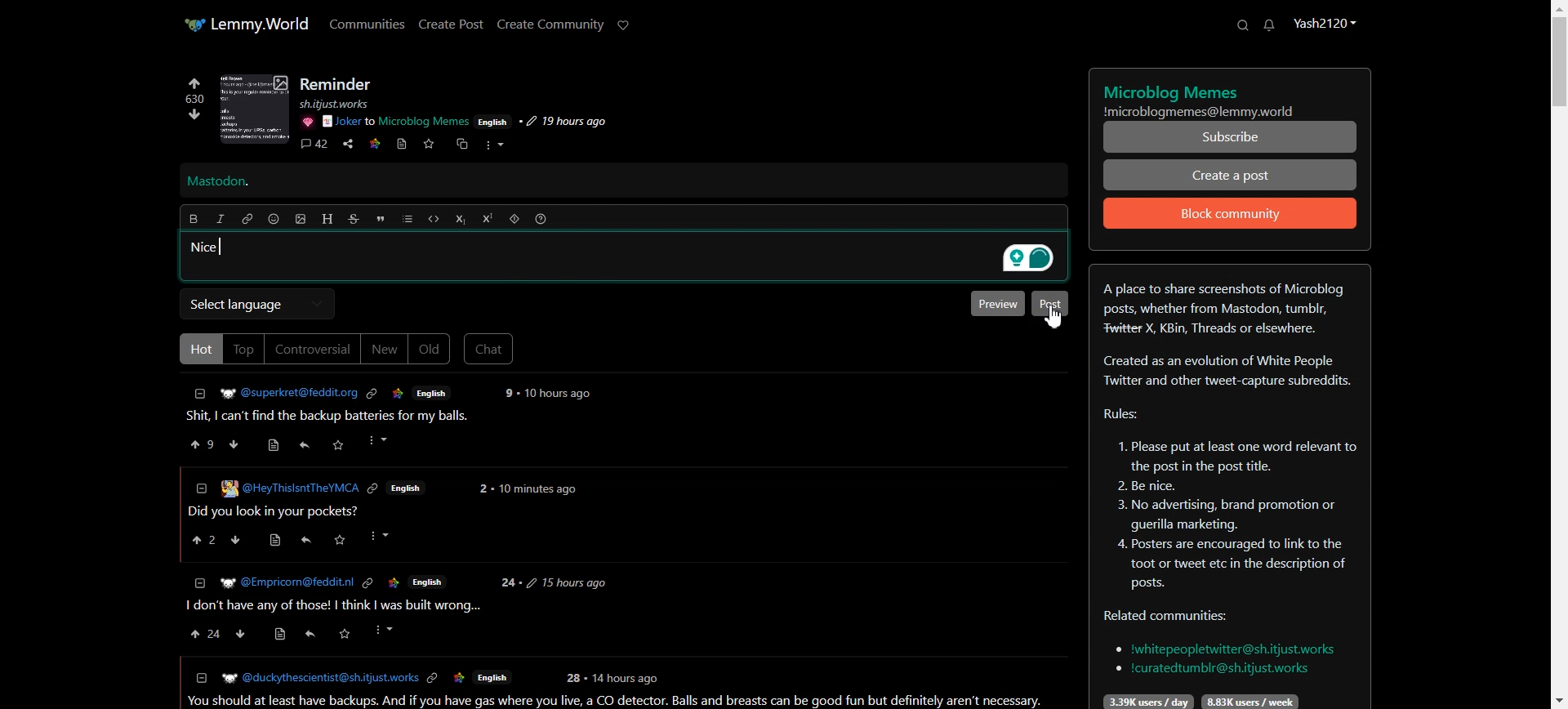 This screenshot has width=1568, height=709. What do you see at coordinates (494, 145) in the screenshot?
I see `More` at bounding box center [494, 145].